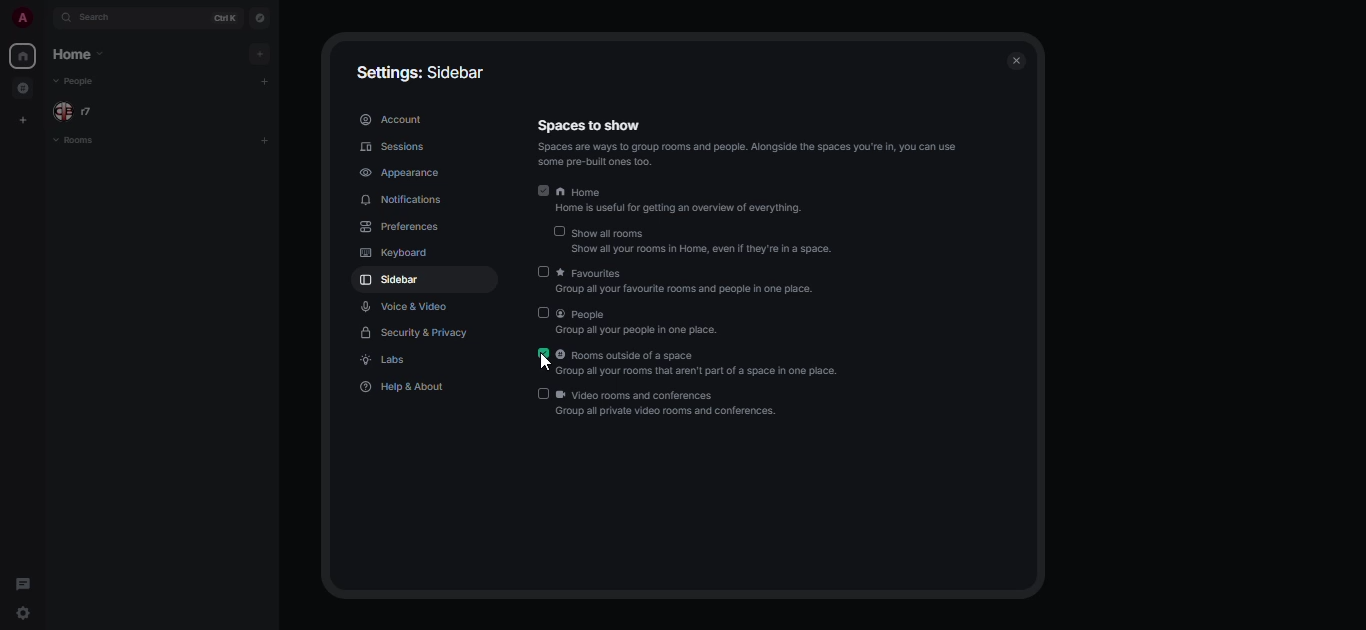  Describe the element at coordinates (589, 125) in the screenshot. I see `spaces to show` at that location.